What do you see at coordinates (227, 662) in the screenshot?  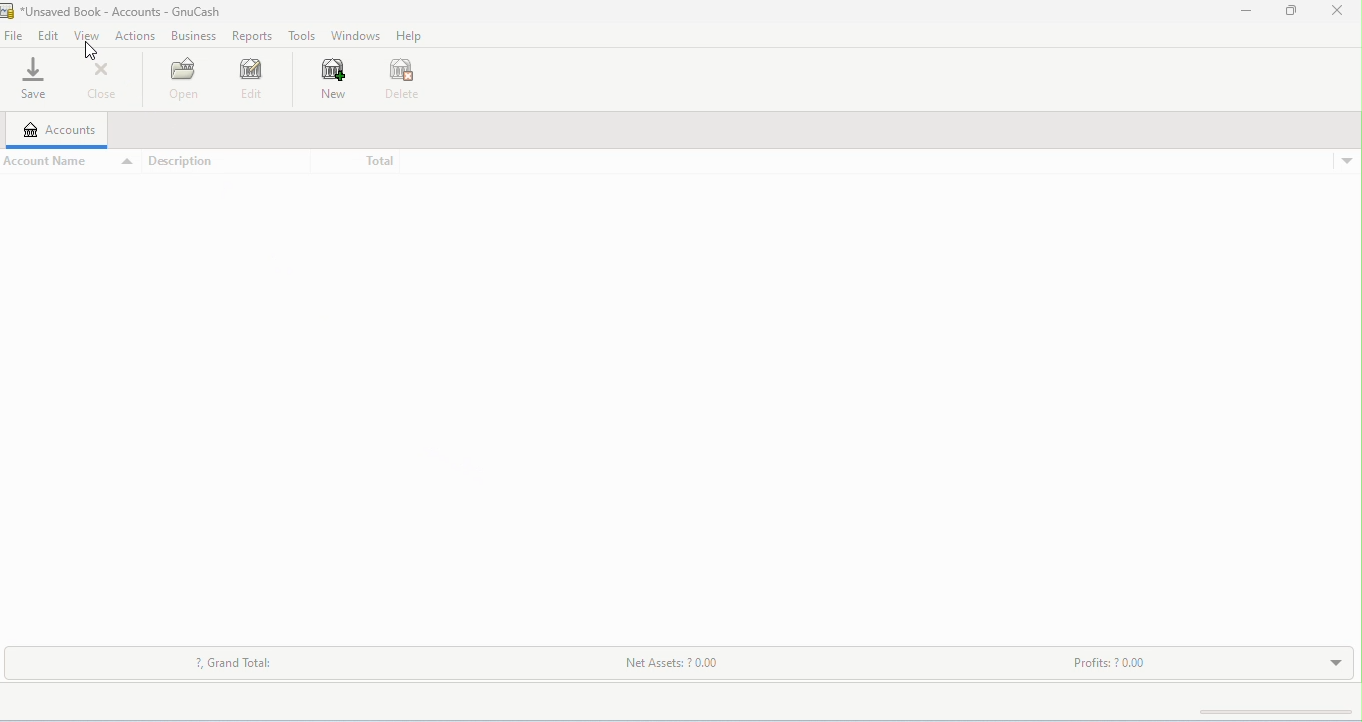 I see `grand total` at bounding box center [227, 662].